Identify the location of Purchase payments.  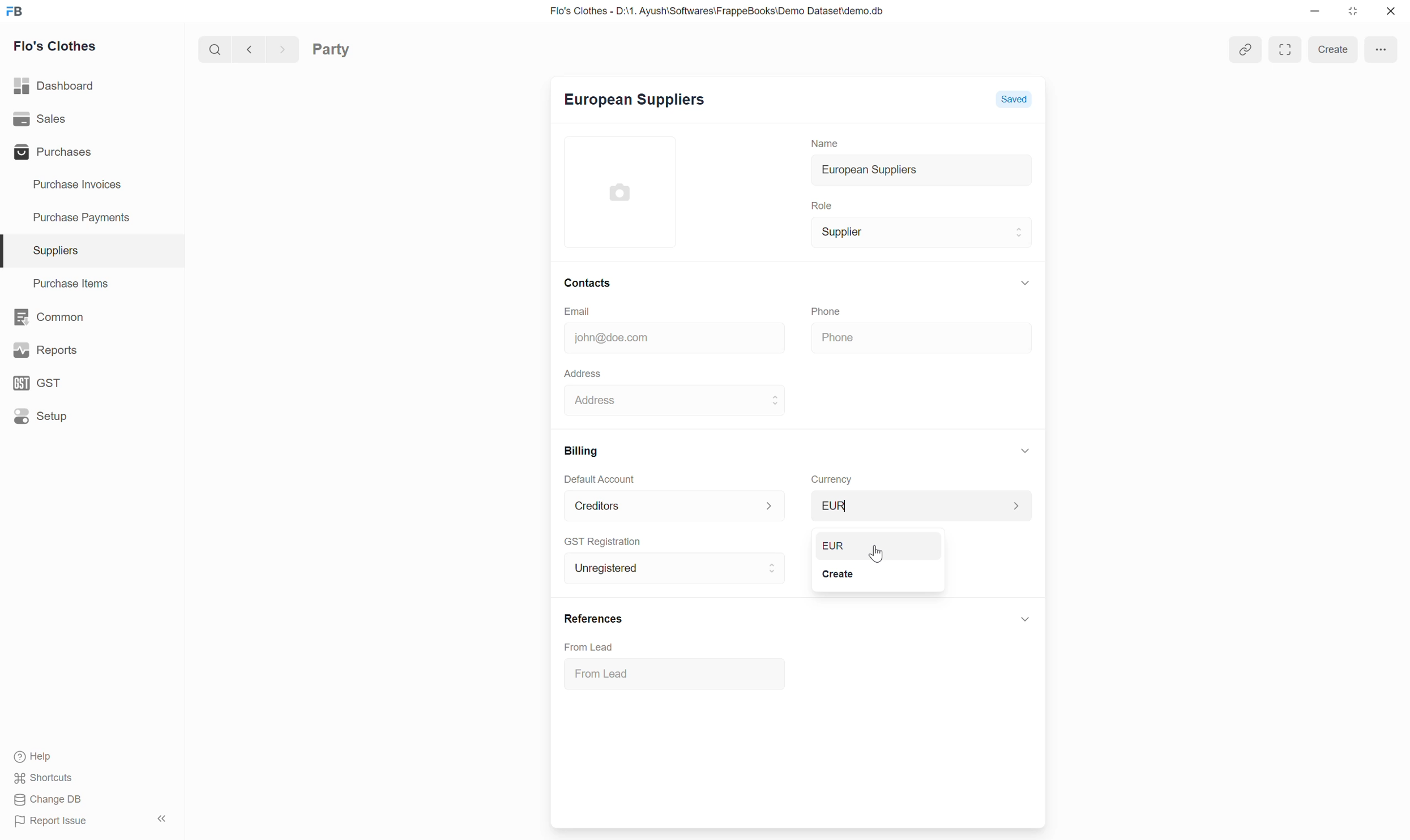
(70, 217).